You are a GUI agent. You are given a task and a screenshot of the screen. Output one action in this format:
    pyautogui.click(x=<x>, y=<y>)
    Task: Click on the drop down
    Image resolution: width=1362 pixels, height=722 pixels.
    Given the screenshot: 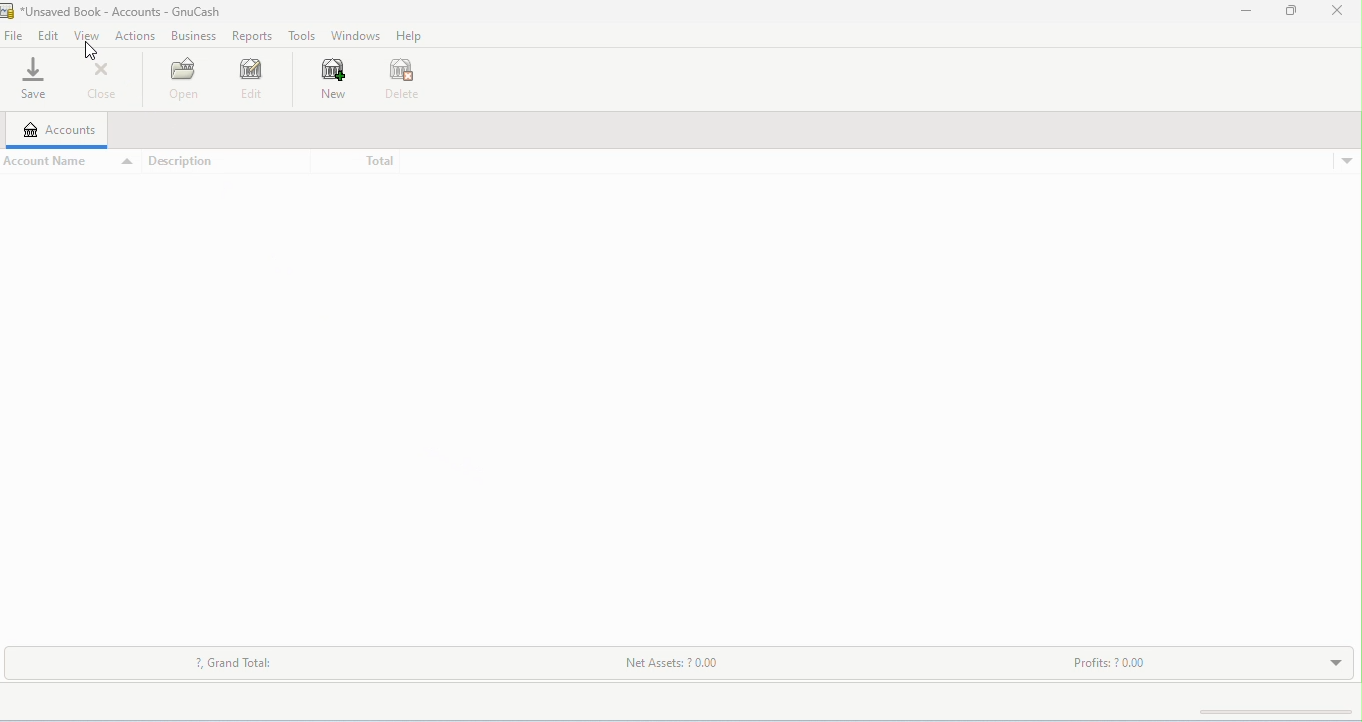 What is the action you would take?
    pyautogui.click(x=1334, y=661)
    